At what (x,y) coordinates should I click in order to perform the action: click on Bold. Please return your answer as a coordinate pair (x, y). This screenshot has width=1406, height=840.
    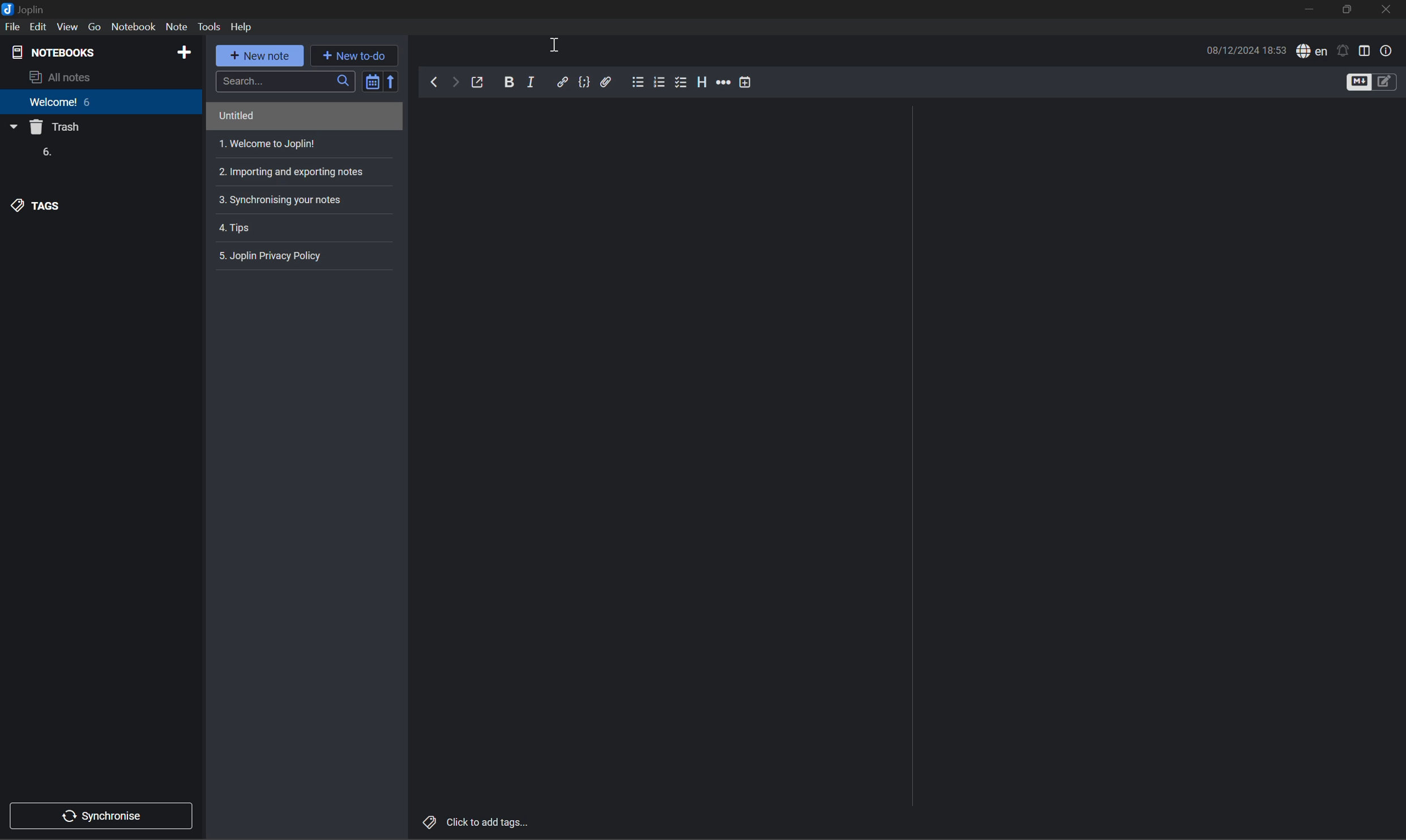
    Looking at the image, I should click on (509, 81).